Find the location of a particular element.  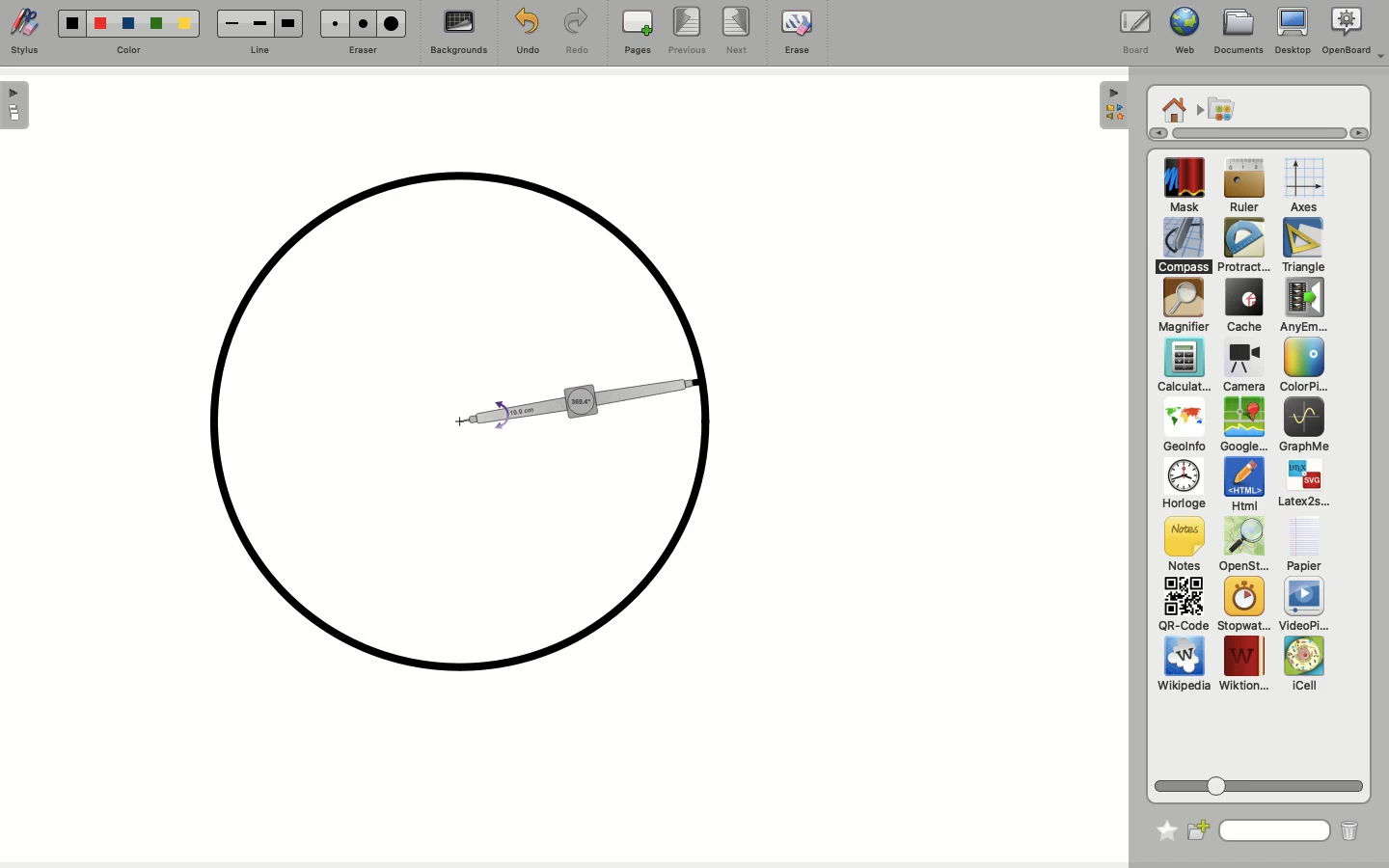

Horloge is located at coordinates (1183, 485).